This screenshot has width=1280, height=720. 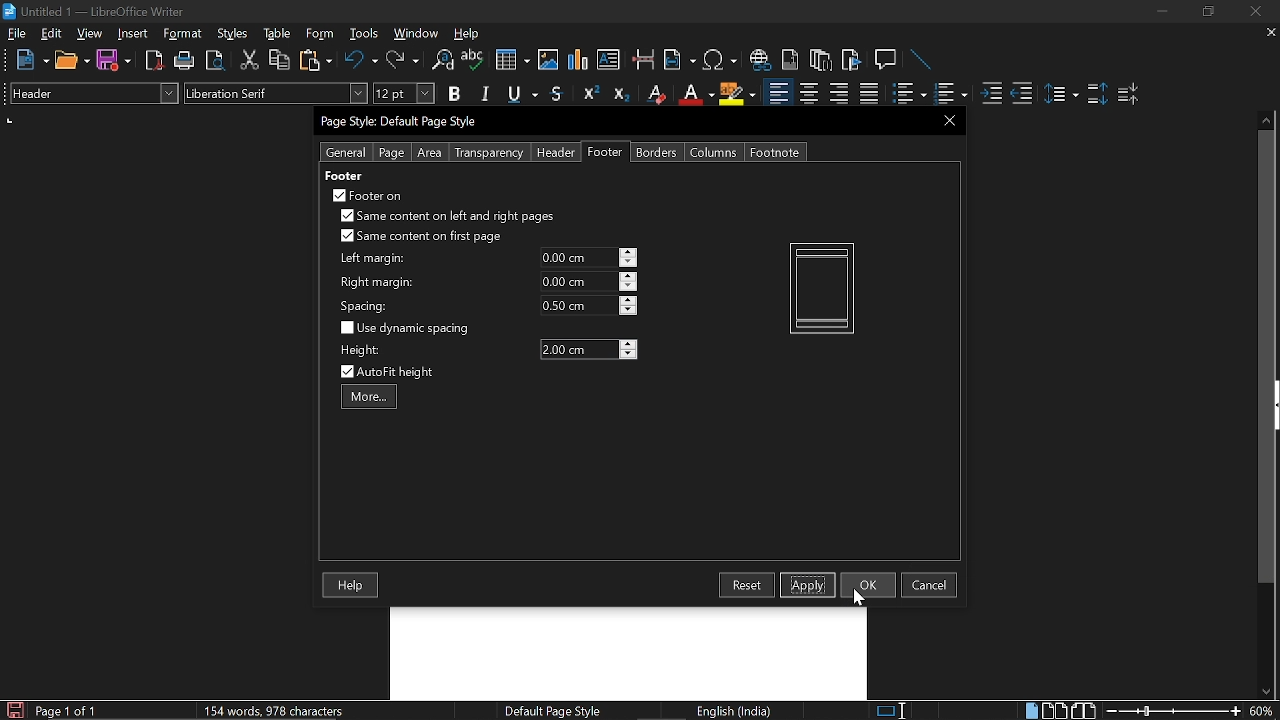 I want to click on right margin, so click(x=377, y=283).